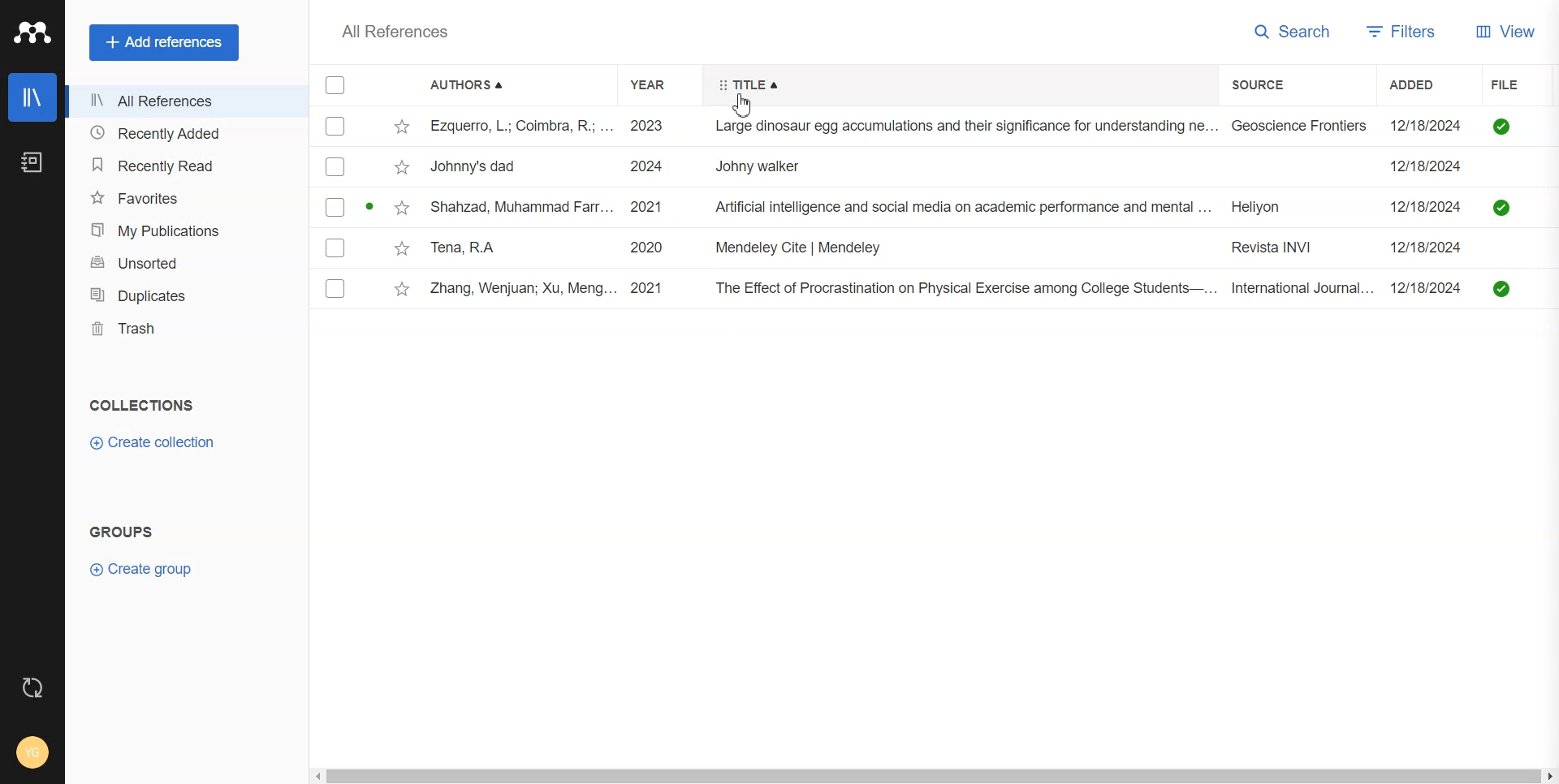  What do you see at coordinates (33, 752) in the screenshot?
I see `Account` at bounding box center [33, 752].